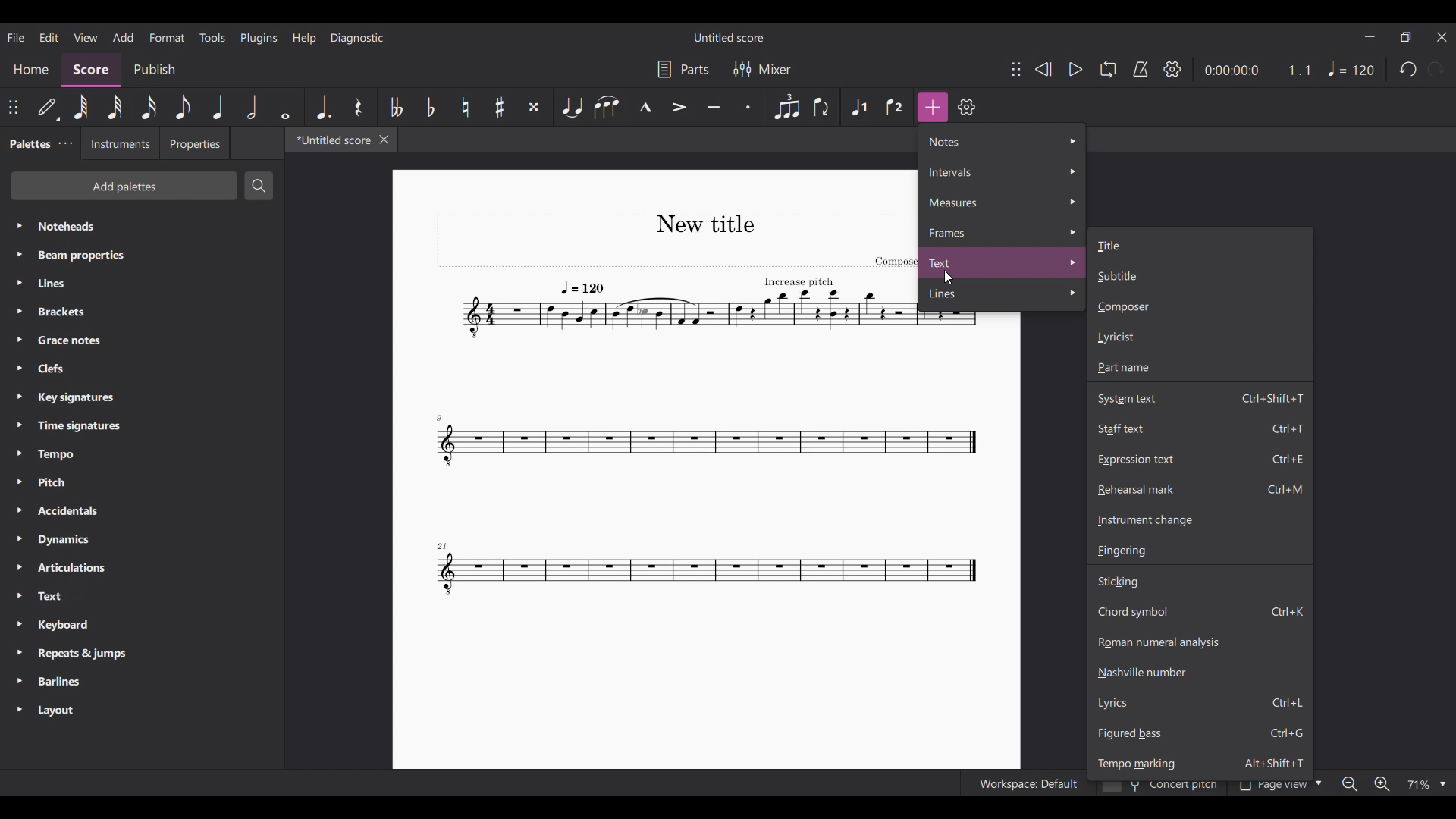 The height and width of the screenshot is (819, 1456). I want to click on Palette settings, so click(65, 143).